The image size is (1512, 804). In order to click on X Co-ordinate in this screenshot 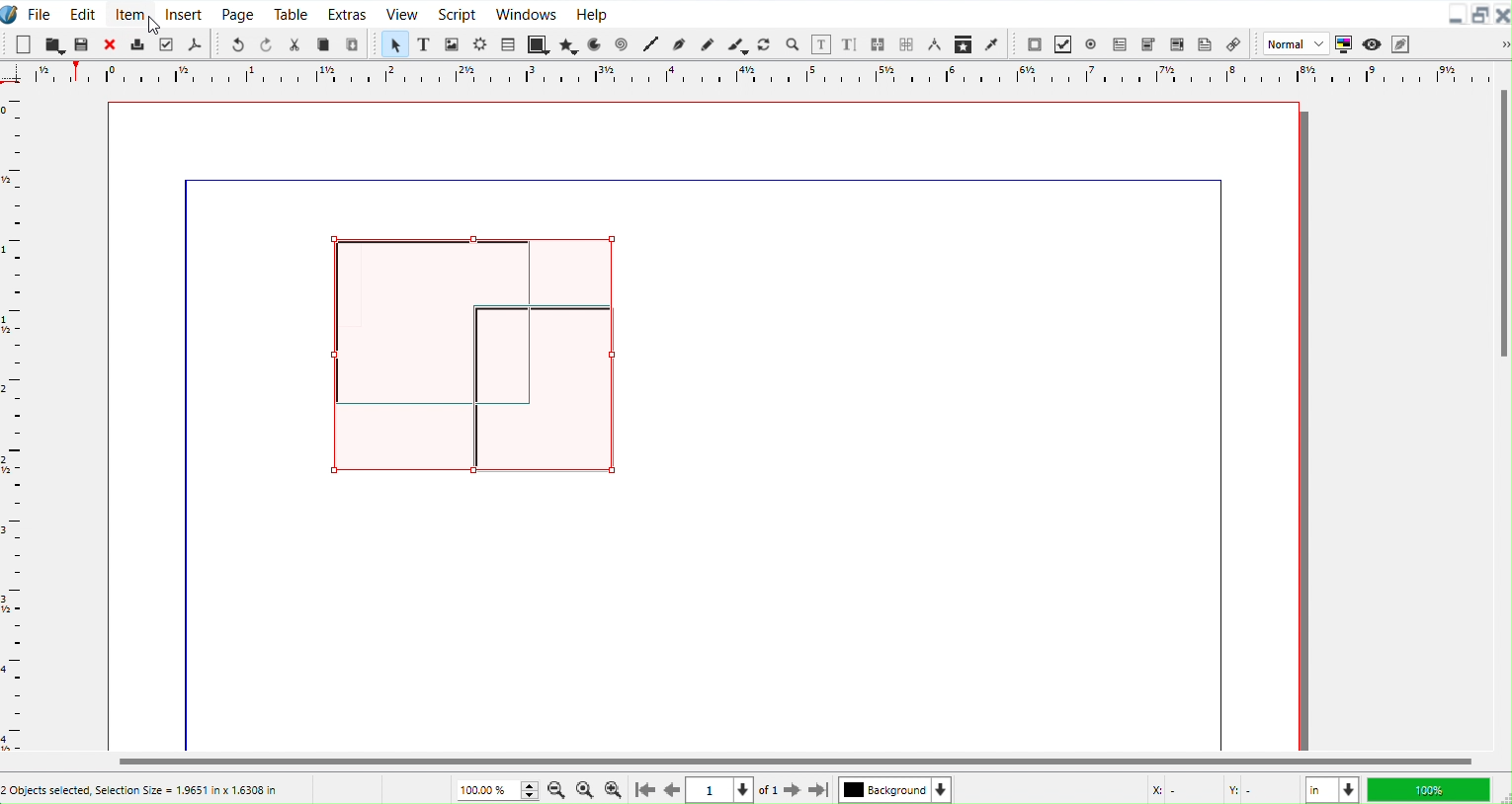, I will do `click(1178, 790)`.